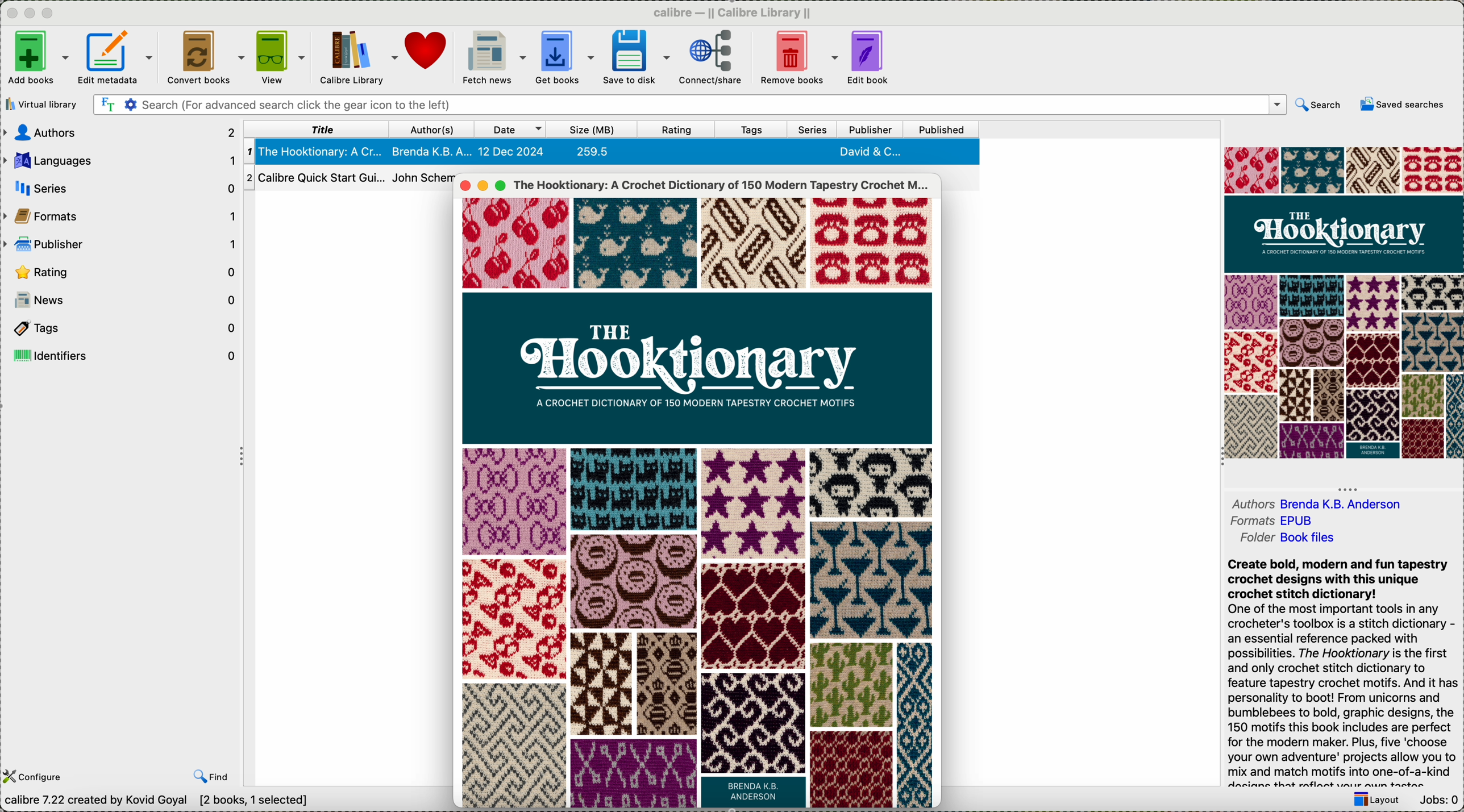  I want to click on tags, so click(120, 327).